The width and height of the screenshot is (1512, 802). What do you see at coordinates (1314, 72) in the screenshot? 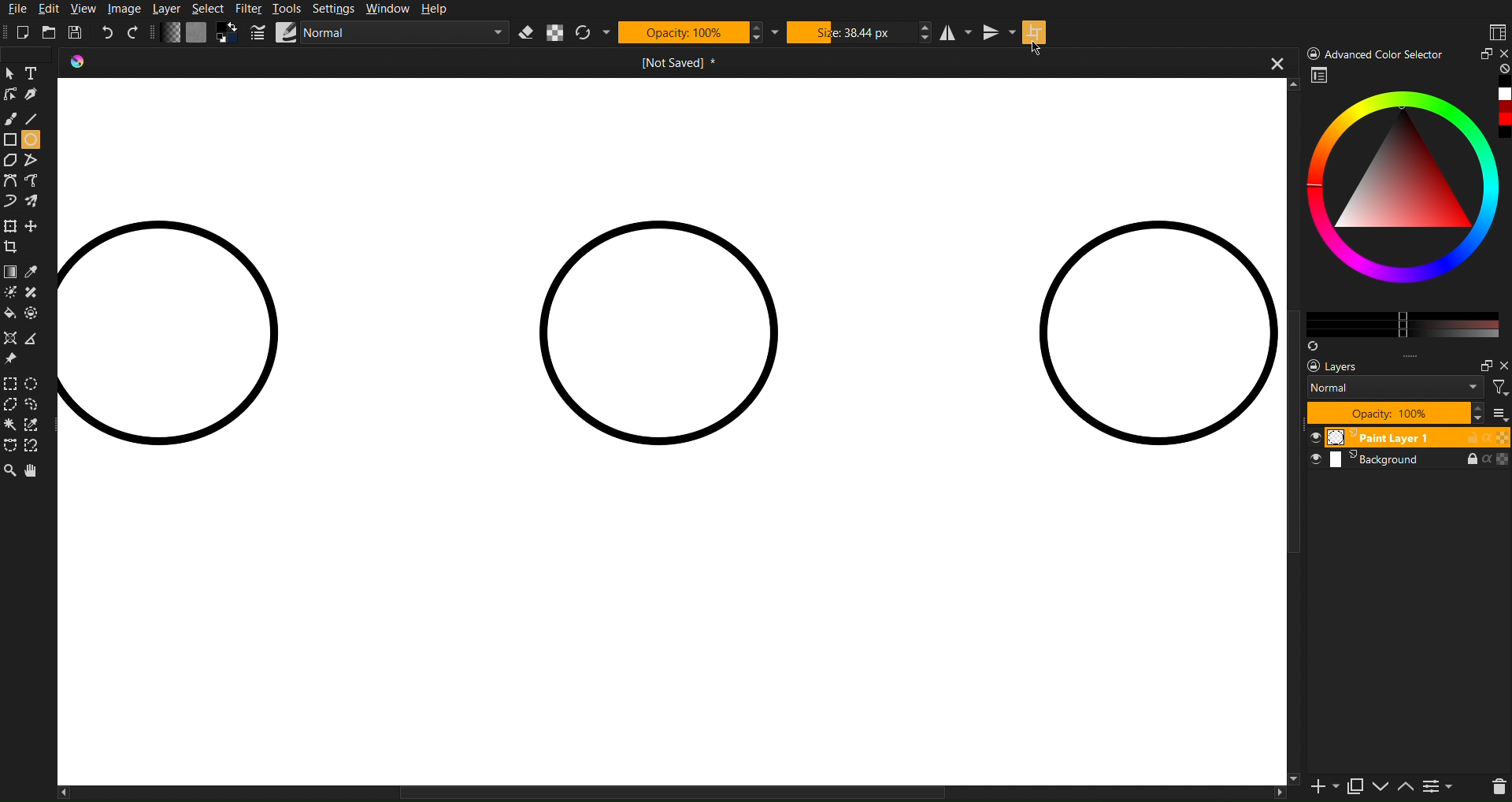
I see `workspace` at bounding box center [1314, 72].